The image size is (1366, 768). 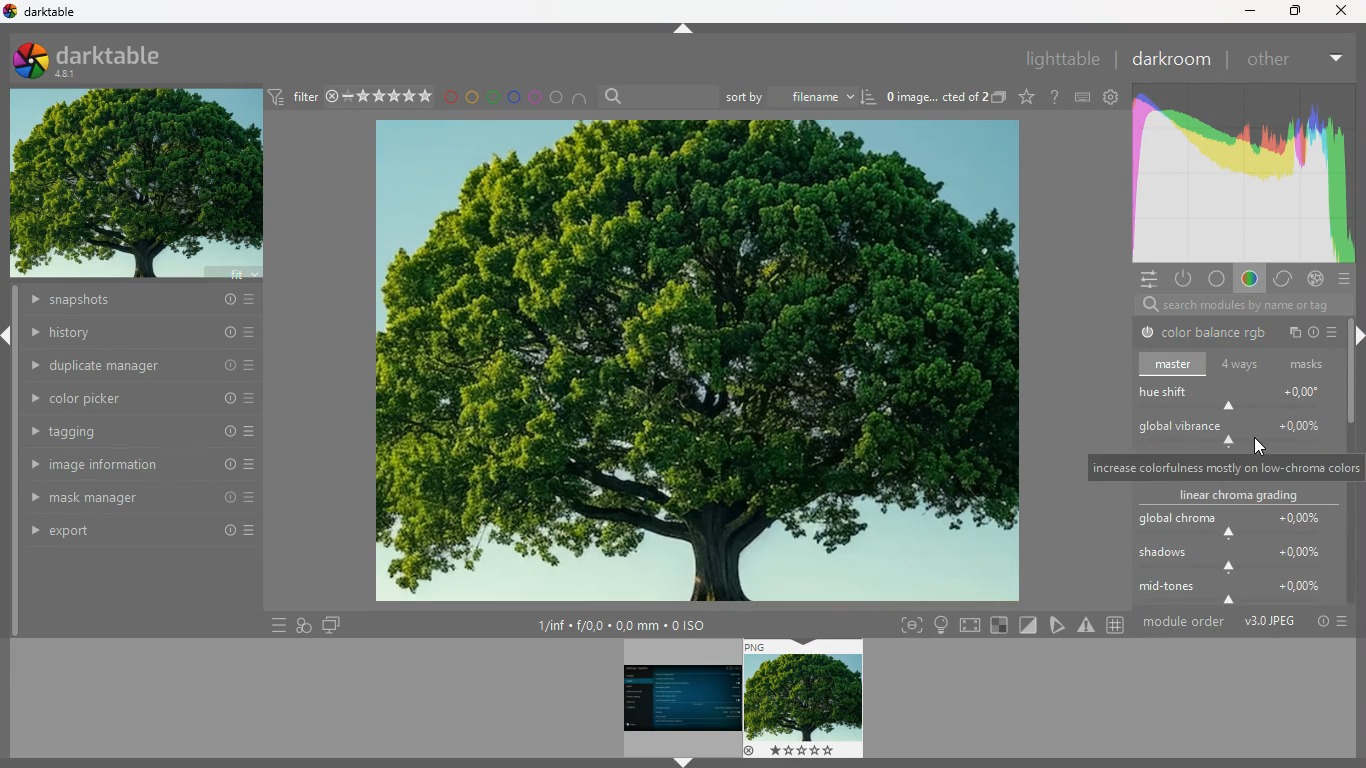 I want to click on maximize, so click(x=1292, y=10).